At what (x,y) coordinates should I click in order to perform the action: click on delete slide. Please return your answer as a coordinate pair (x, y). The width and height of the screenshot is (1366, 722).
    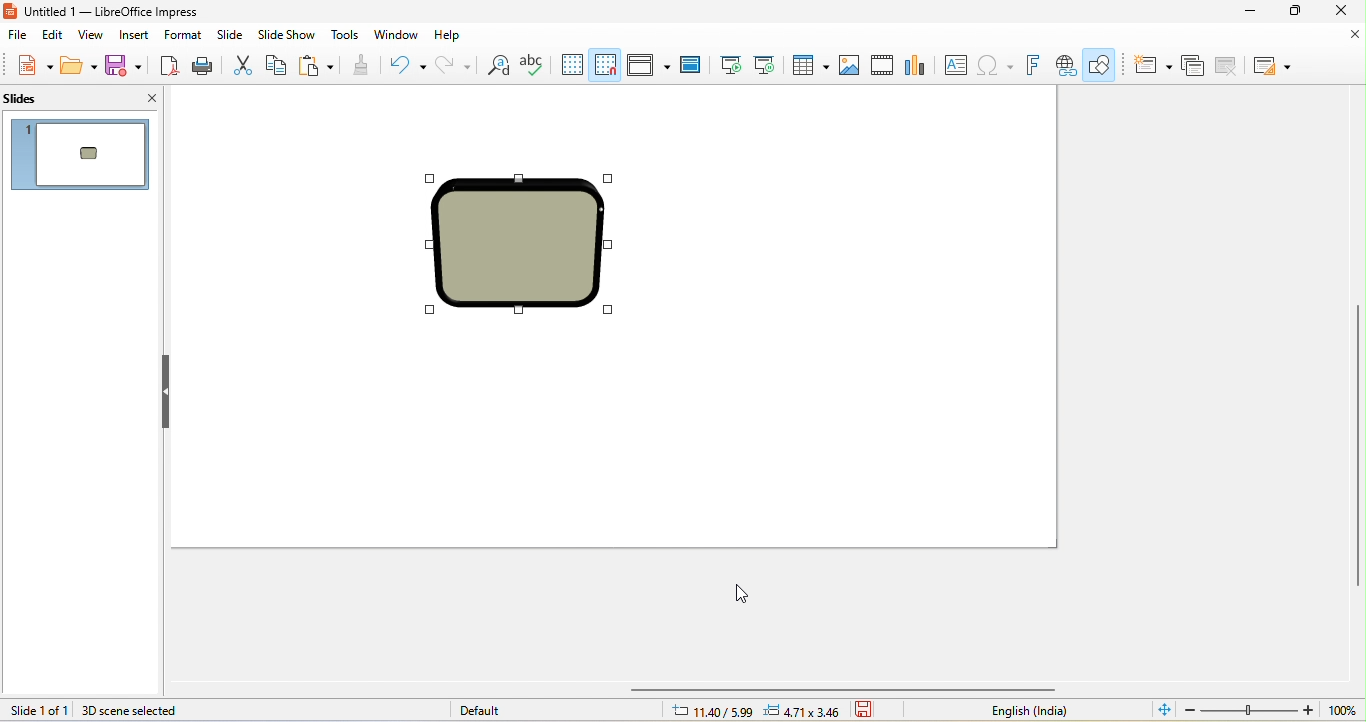
    Looking at the image, I should click on (1226, 65).